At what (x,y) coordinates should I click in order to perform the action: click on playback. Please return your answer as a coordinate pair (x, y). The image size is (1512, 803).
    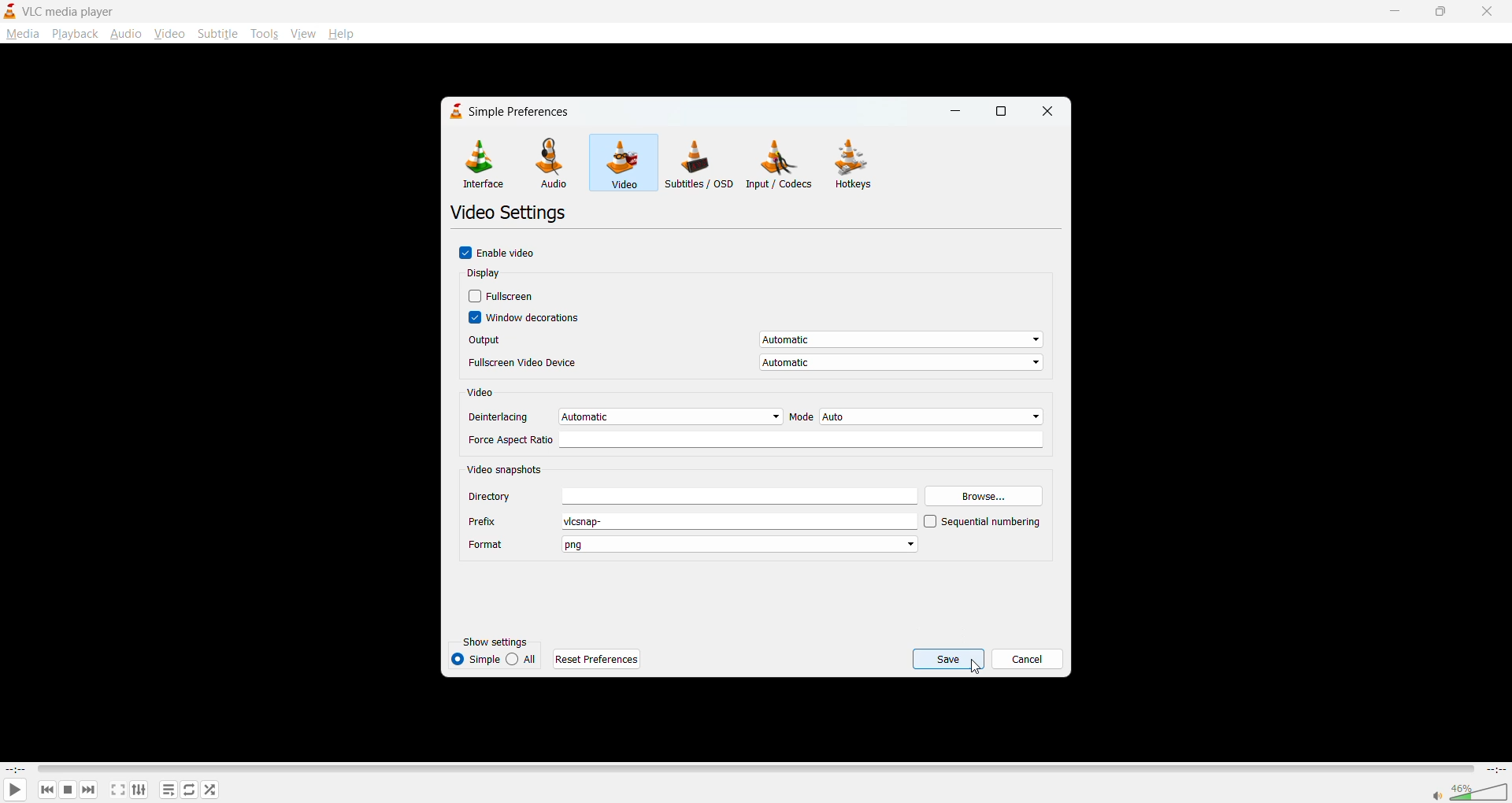
    Looking at the image, I should click on (75, 34).